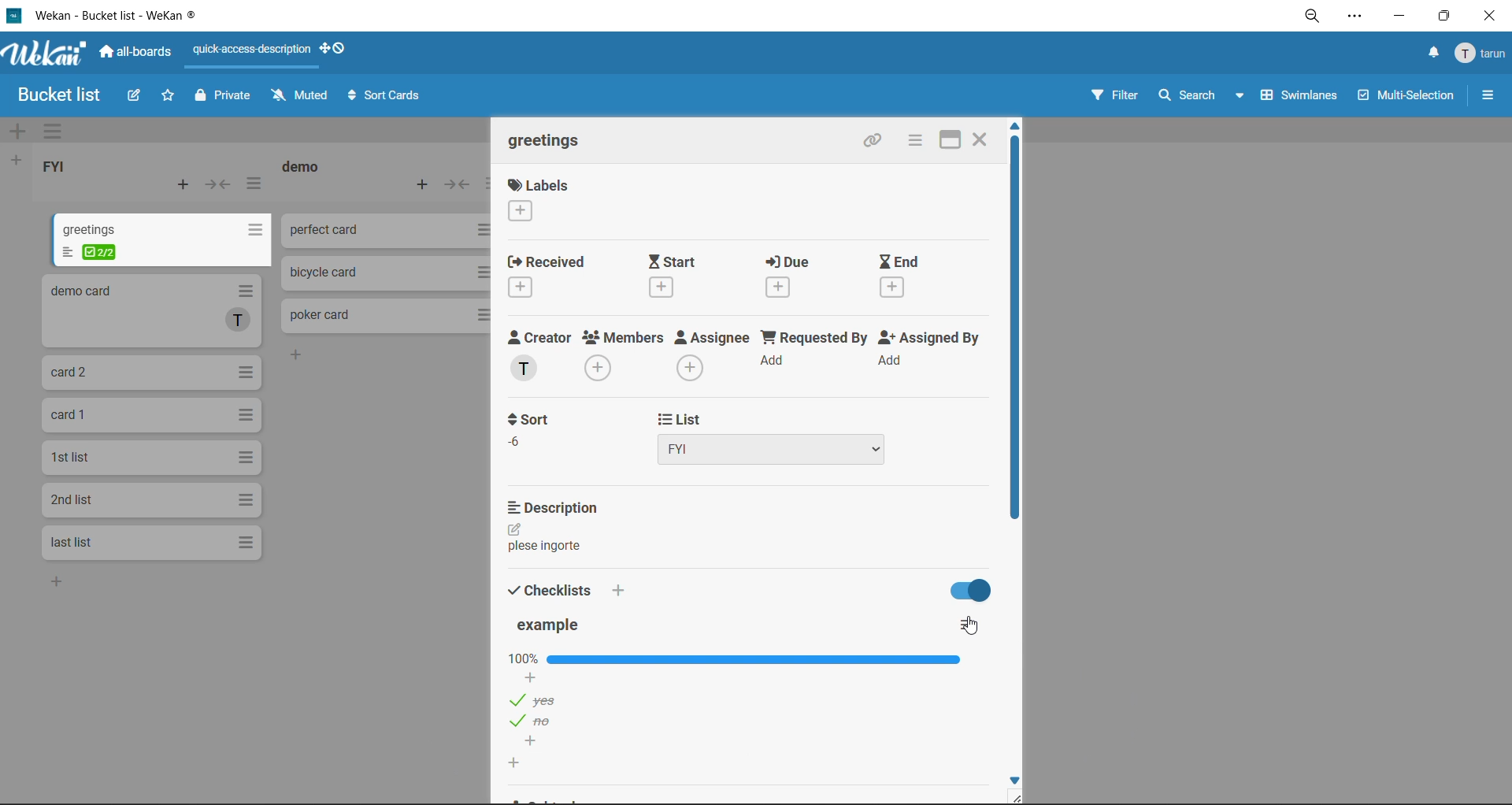  I want to click on edit, so click(519, 531).